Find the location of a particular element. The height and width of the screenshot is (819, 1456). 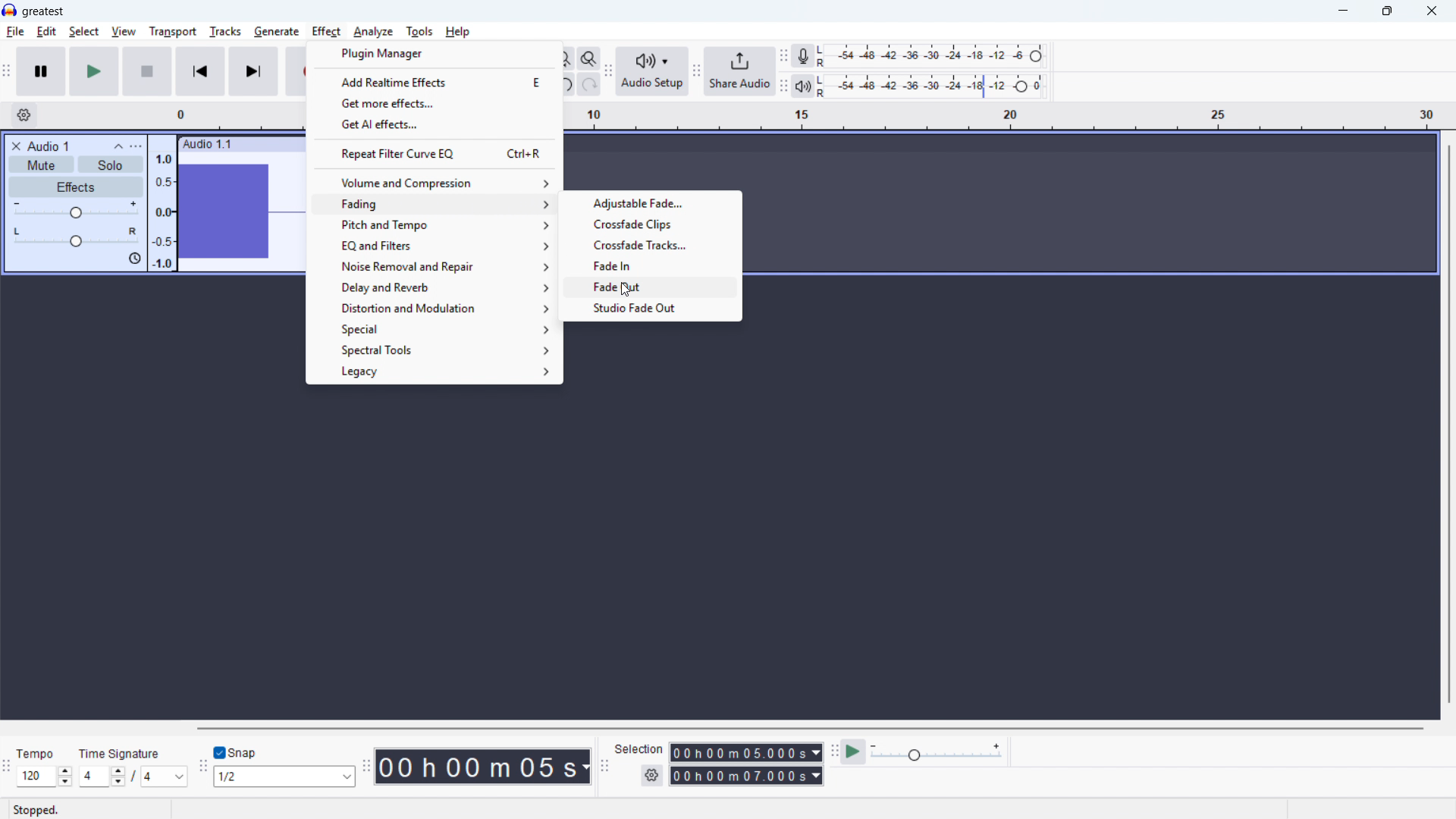

E Q and filters  is located at coordinates (435, 246).